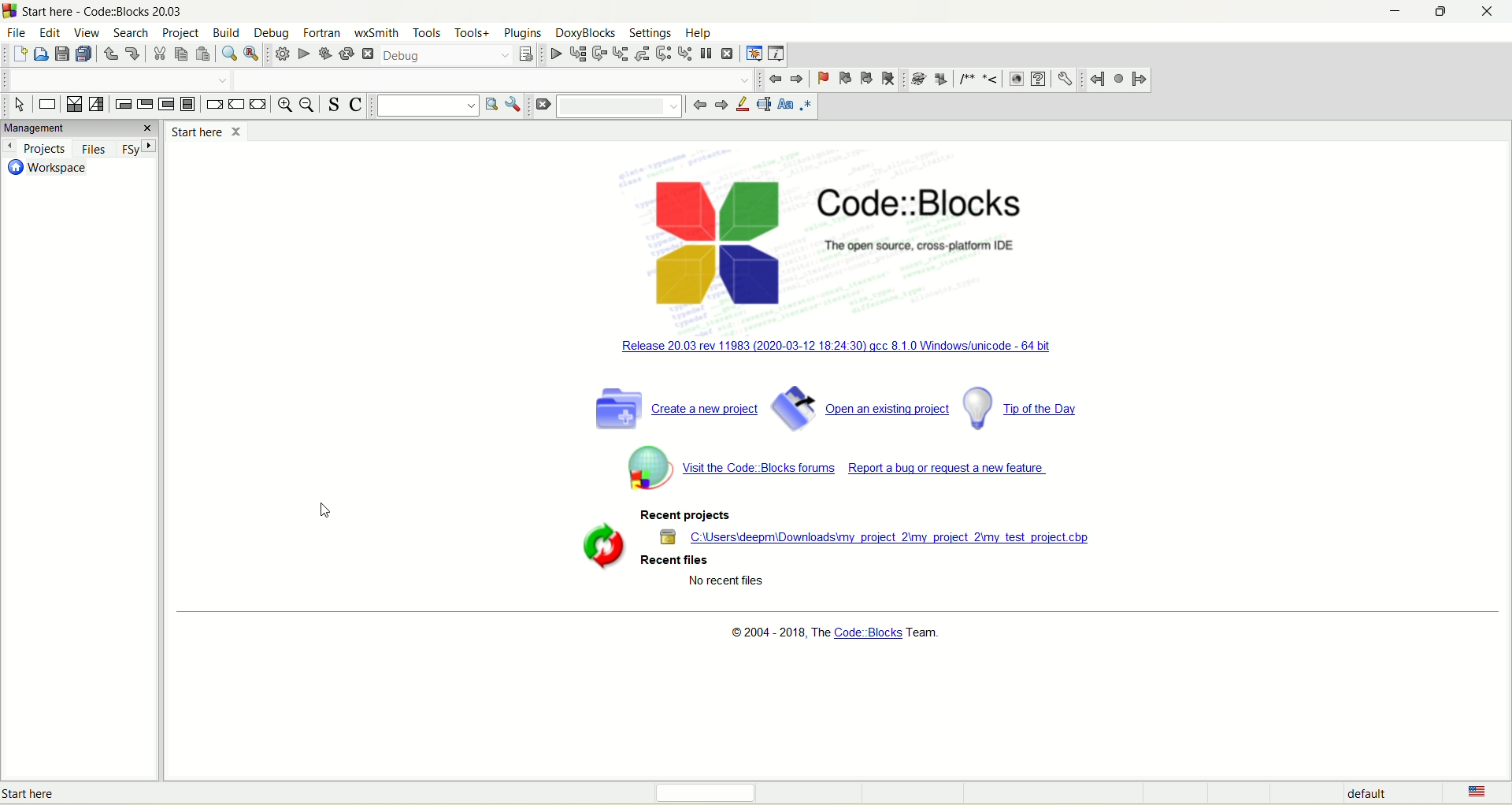 This screenshot has height=805, width=1512. I want to click on blank space, so click(116, 79).